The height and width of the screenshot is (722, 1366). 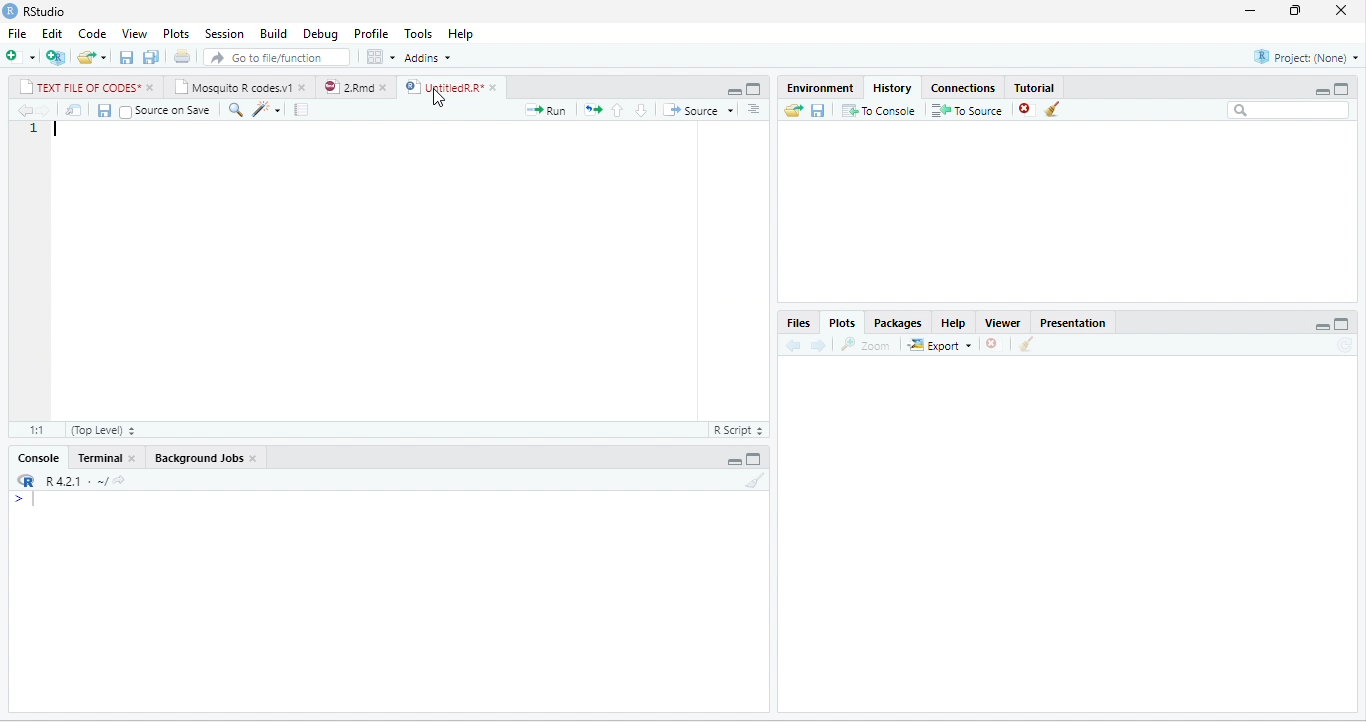 What do you see at coordinates (36, 130) in the screenshot?
I see `1` at bounding box center [36, 130].